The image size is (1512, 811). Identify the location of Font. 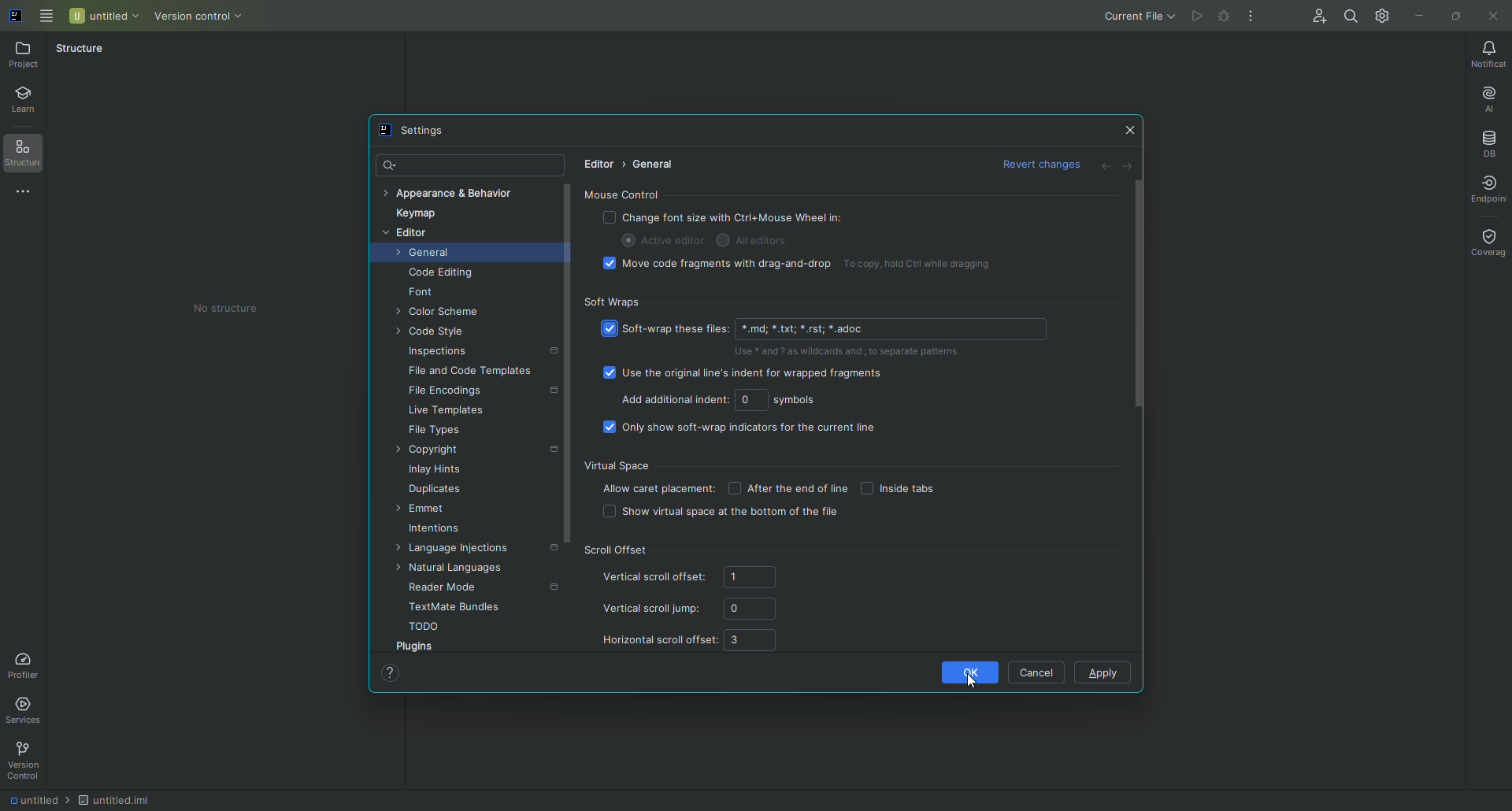
(428, 294).